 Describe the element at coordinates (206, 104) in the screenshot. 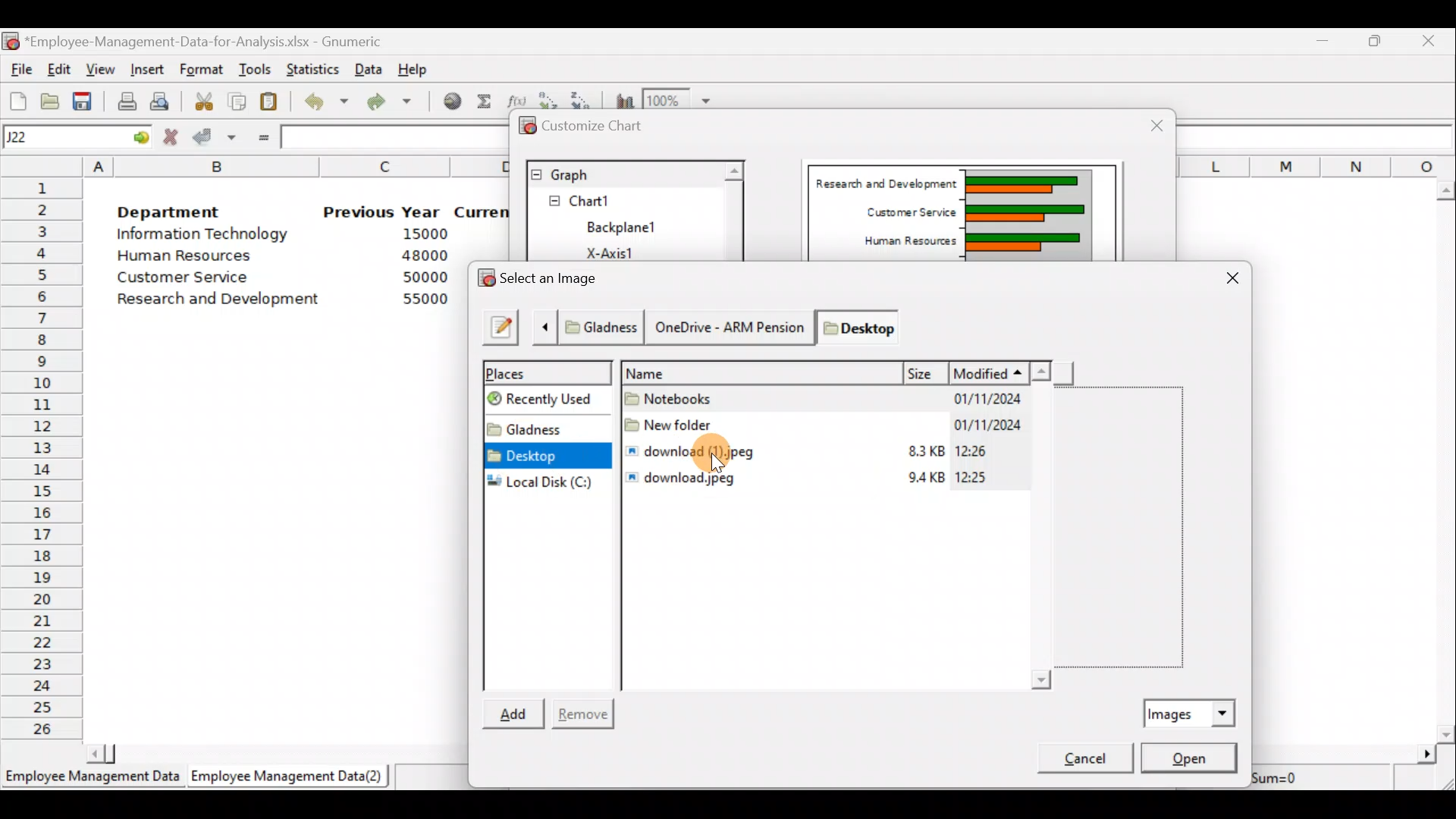

I see `Cut the selection` at that location.